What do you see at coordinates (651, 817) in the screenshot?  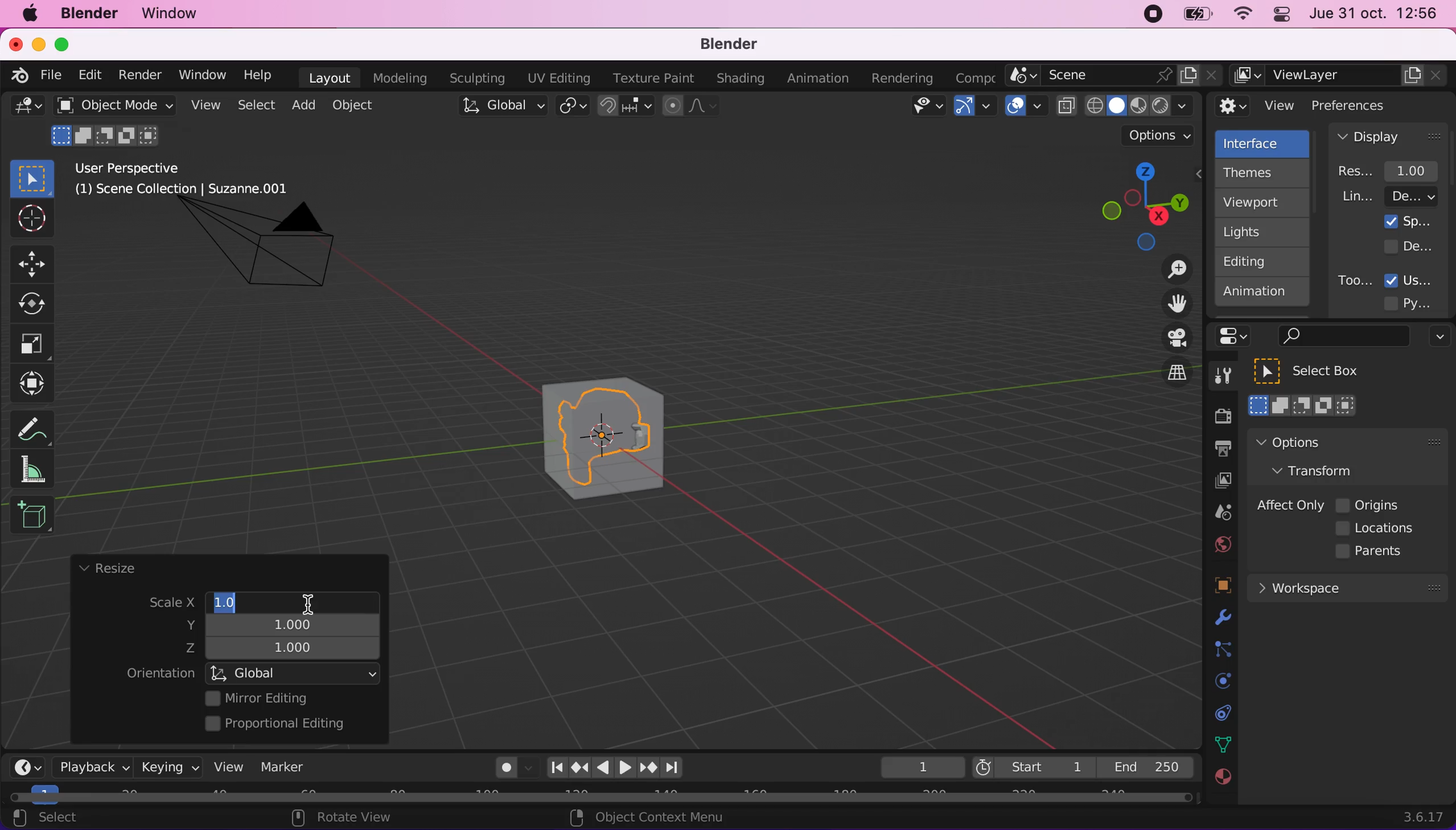 I see `object context menu` at bounding box center [651, 817].